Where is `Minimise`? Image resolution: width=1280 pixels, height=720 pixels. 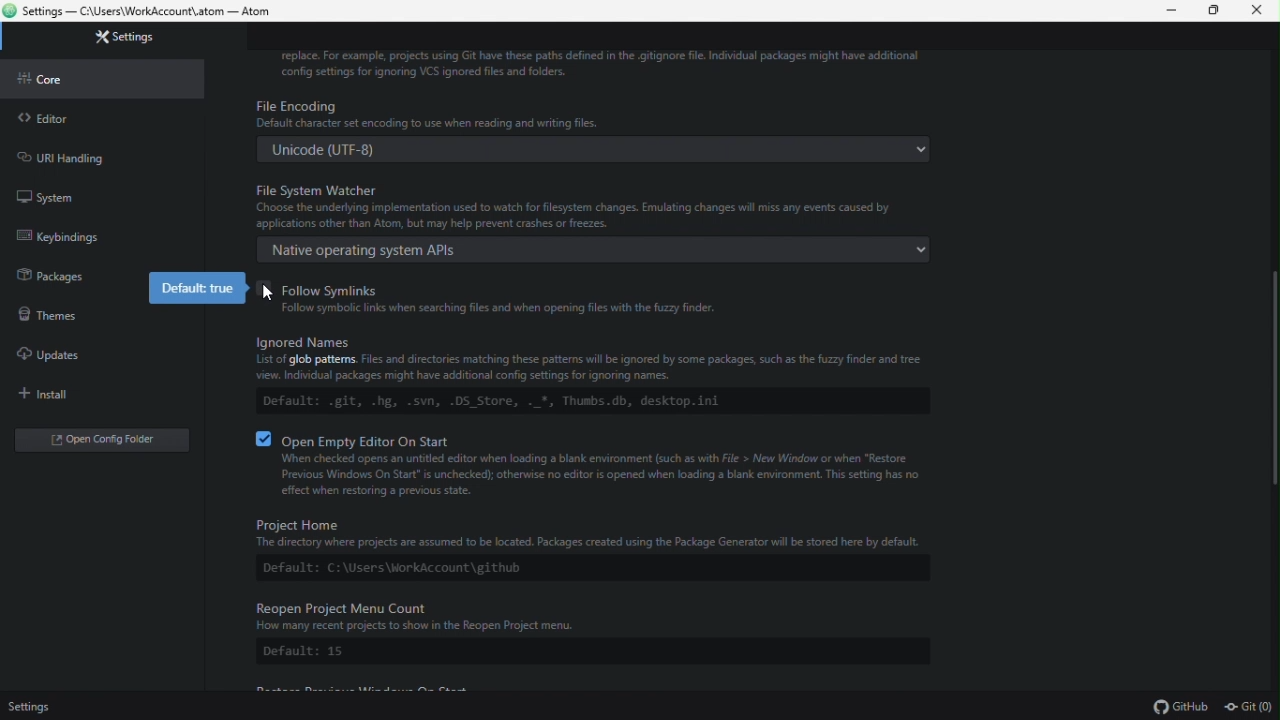 Minimise is located at coordinates (1175, 10).